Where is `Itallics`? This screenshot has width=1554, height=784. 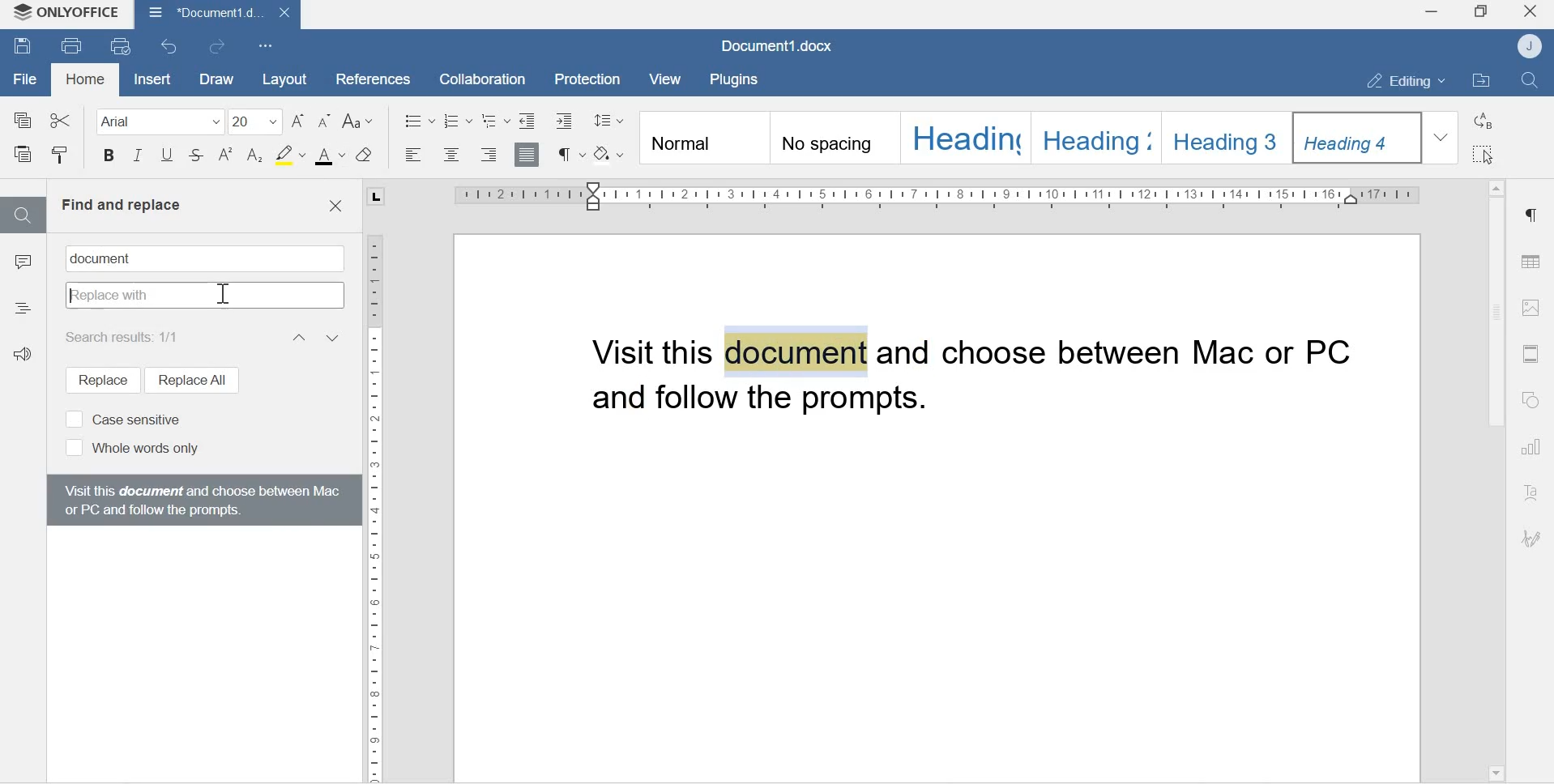 Itallics is located at coordinates (138, 157).